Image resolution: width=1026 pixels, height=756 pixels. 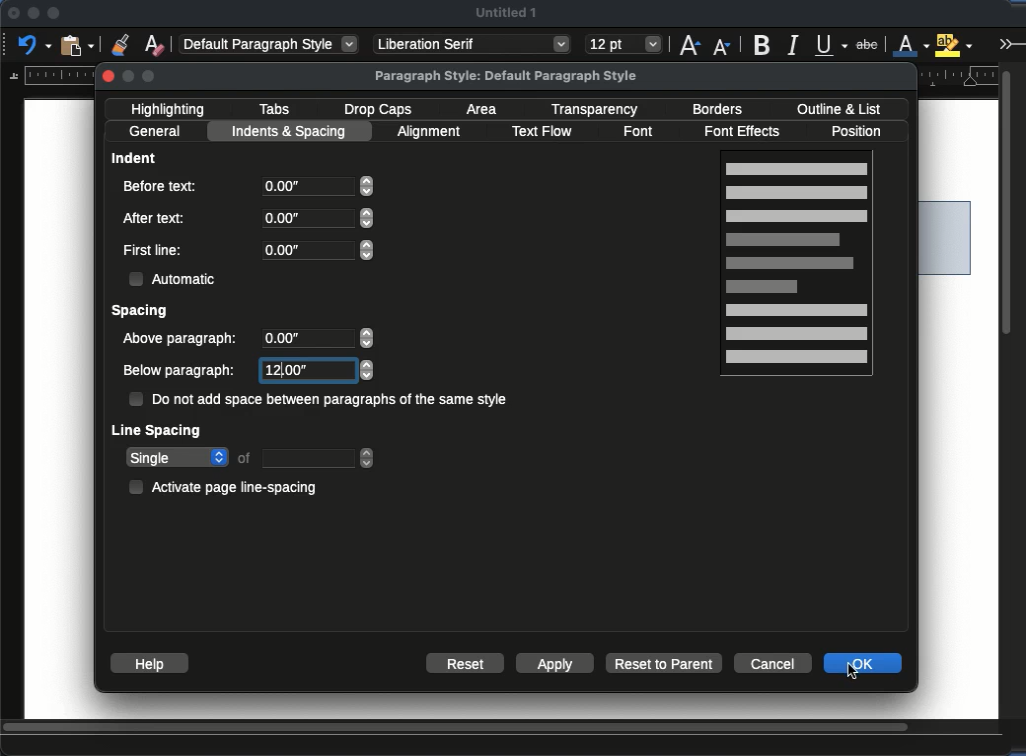 I want to click on apply , so click(x=555, y=663).